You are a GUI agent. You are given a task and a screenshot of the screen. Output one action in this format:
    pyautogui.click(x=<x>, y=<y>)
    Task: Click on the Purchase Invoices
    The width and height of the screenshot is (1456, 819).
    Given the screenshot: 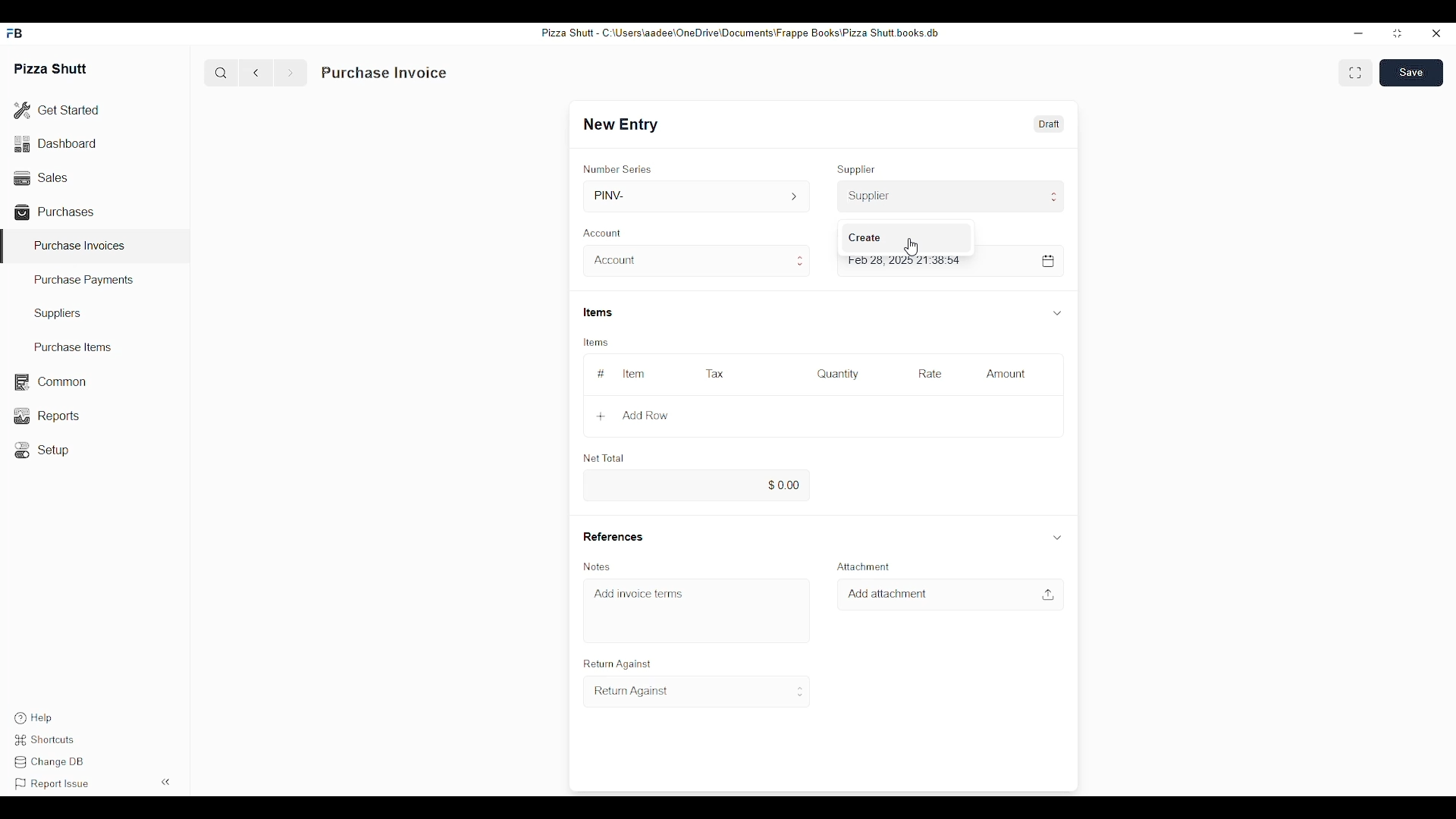 What is the action you would take?
    pyautogui.click(x=80, y=245)
    